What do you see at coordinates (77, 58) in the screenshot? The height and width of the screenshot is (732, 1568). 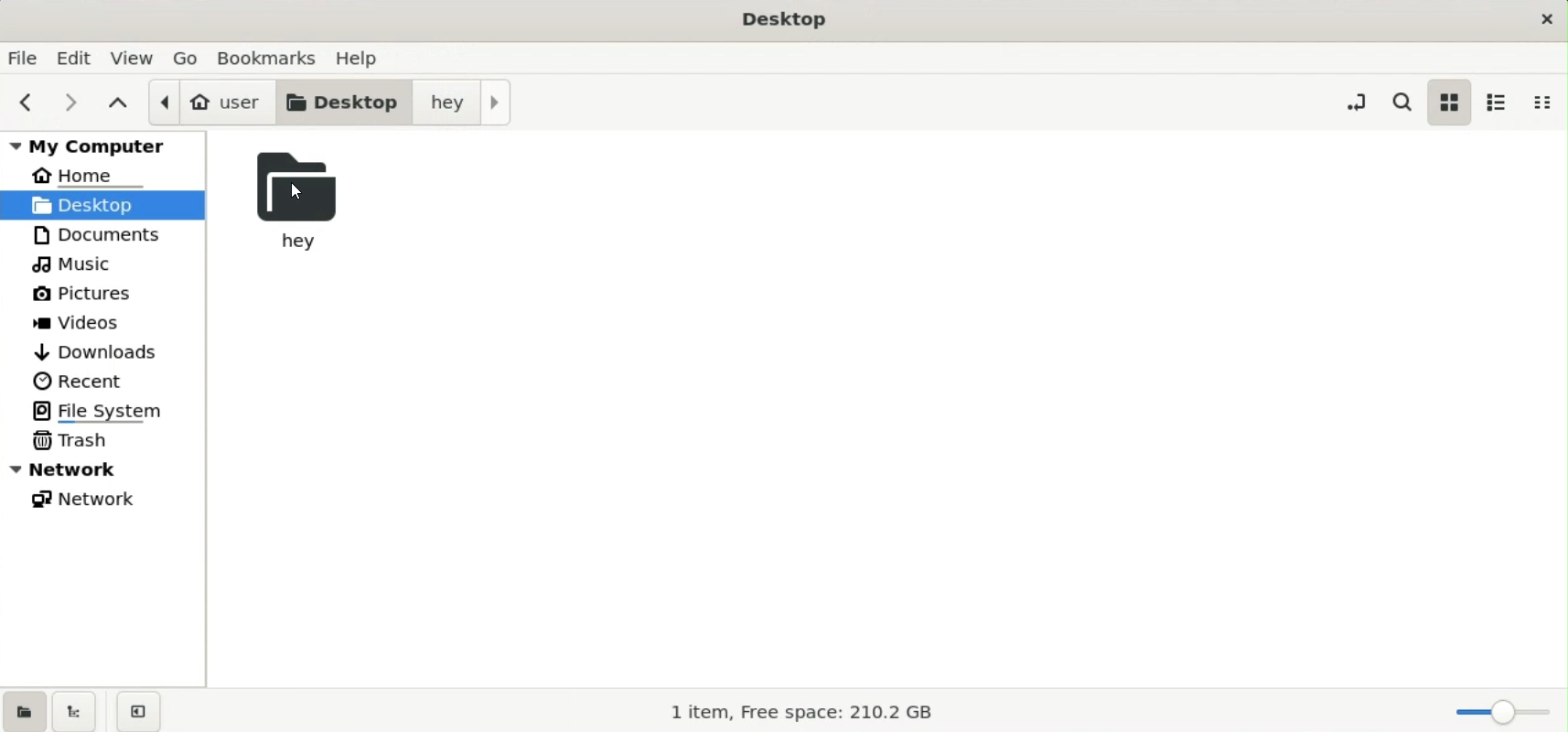 I see `edit` at bounding box center [77, 58].